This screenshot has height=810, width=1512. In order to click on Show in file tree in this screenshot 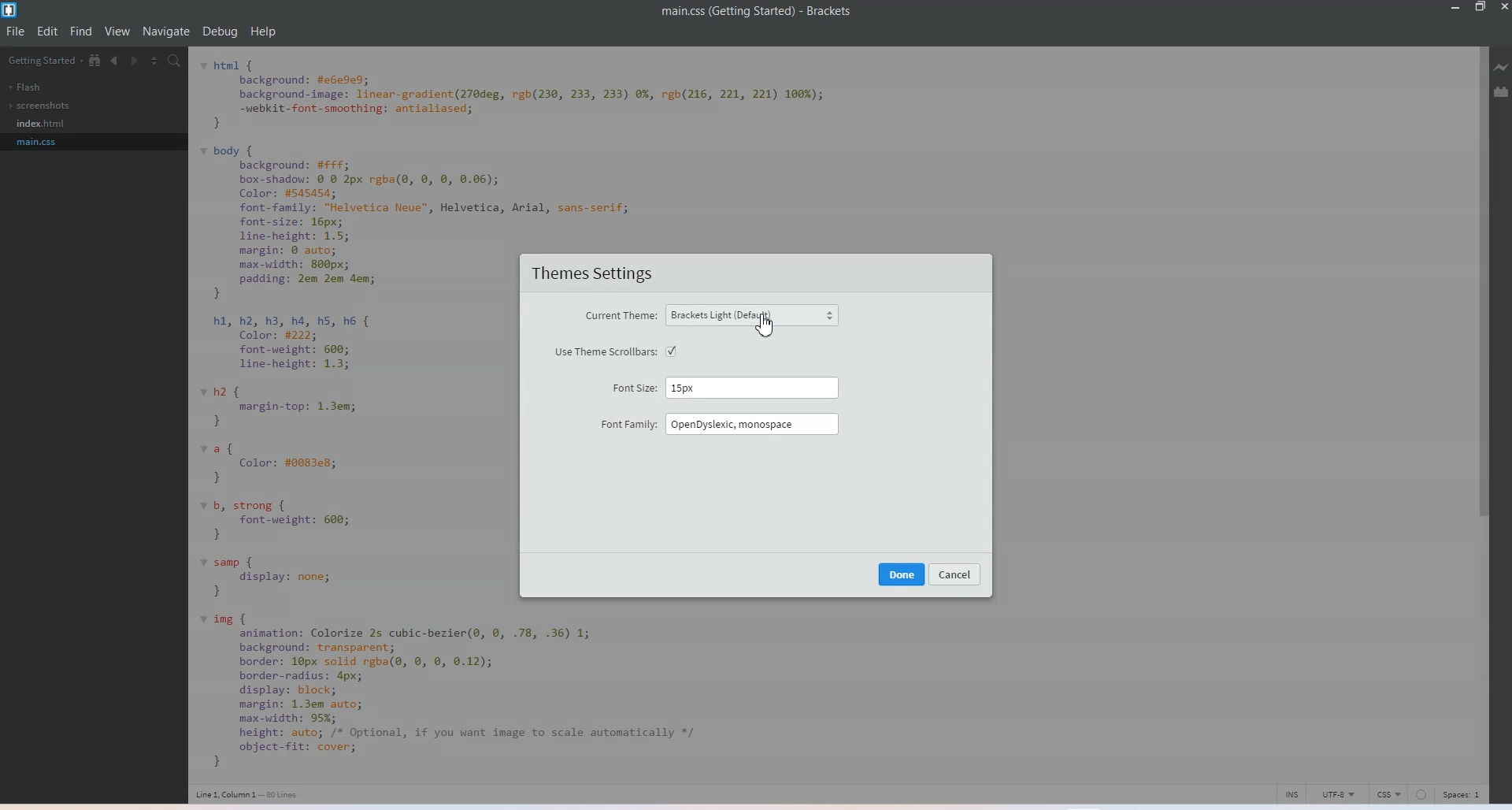, I will do `click(95, 61)`.